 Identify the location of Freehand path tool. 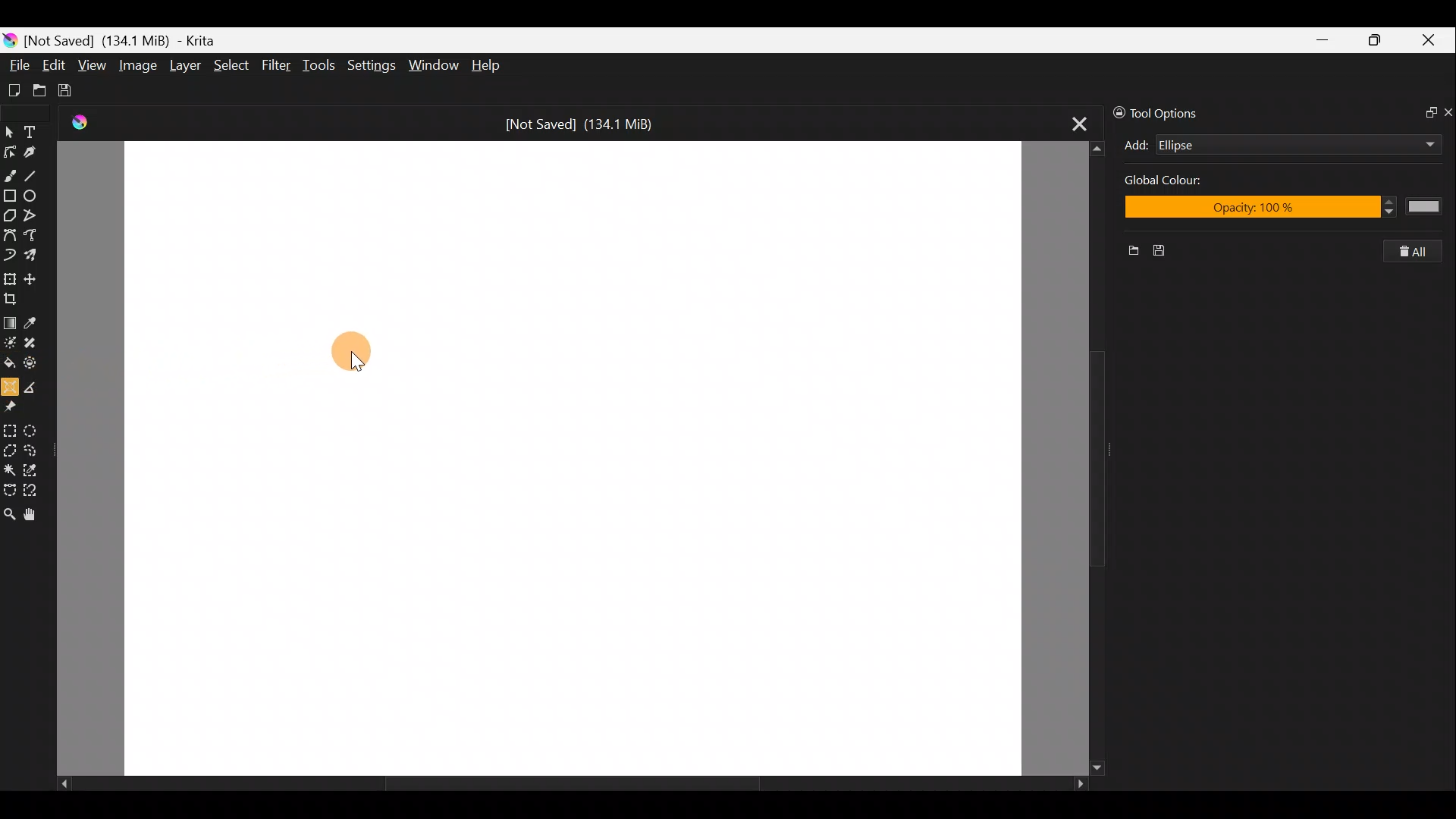
(31, 236).